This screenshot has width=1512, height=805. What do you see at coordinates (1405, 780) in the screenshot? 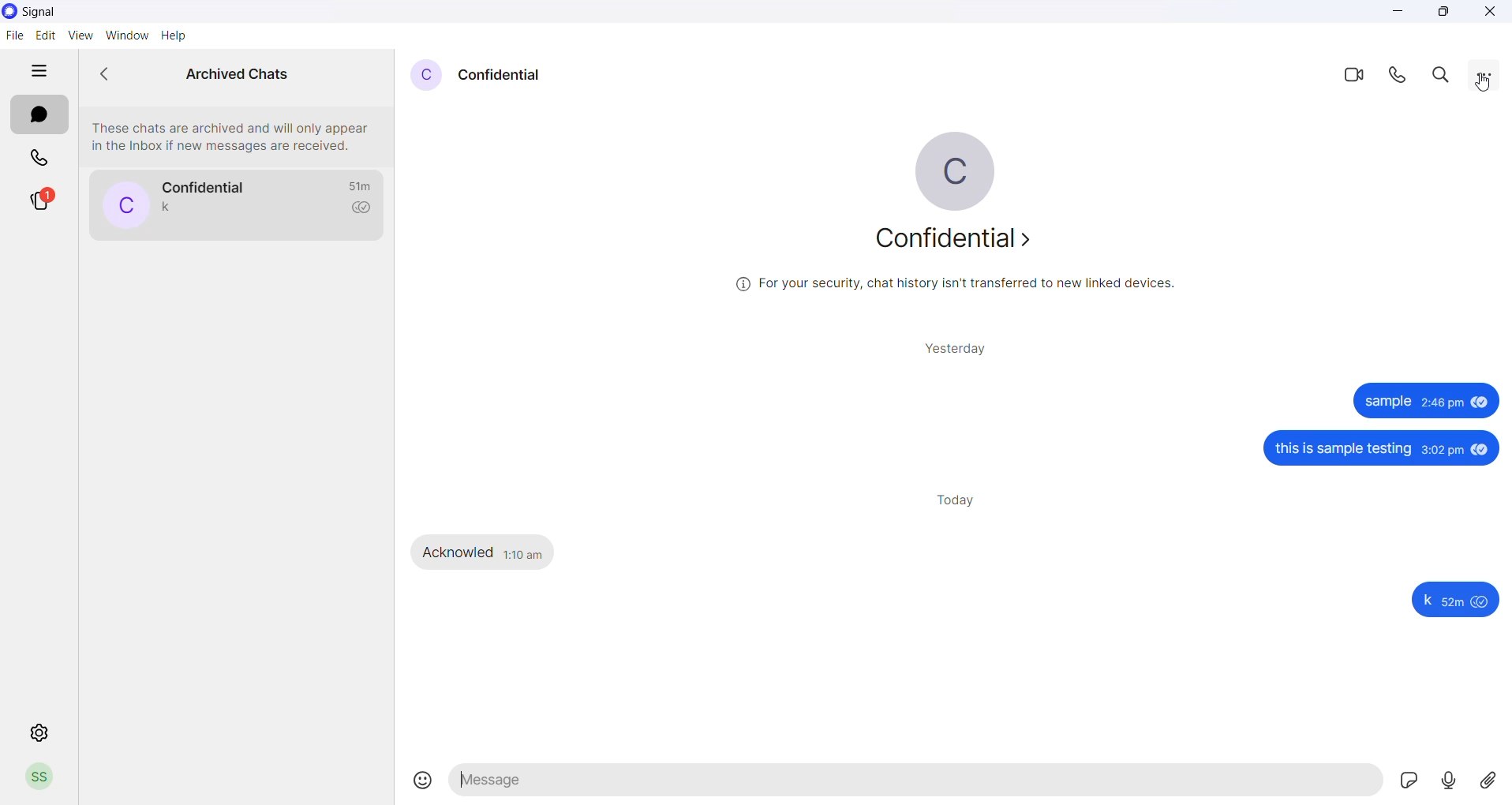
I see `sticker` at bounding box center [1405, 780].